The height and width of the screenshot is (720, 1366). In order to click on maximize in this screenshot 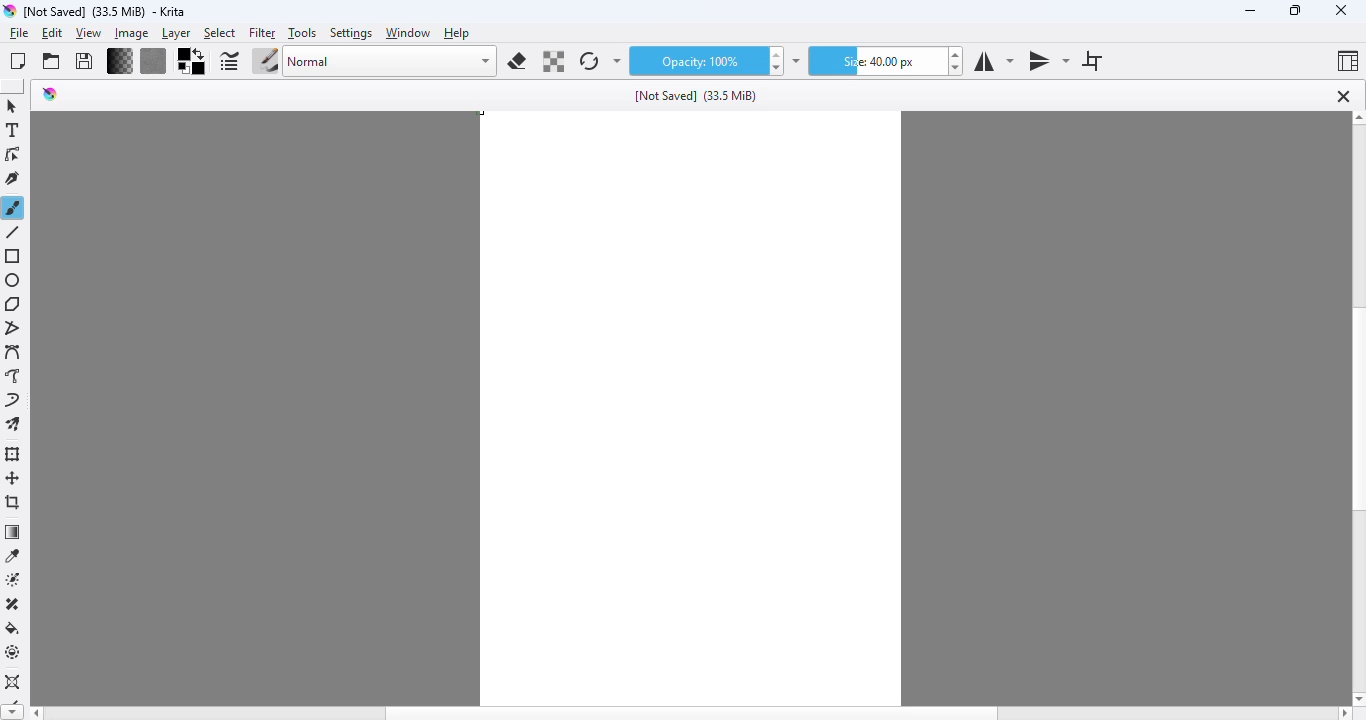, I will do `click(1296, 10)`.